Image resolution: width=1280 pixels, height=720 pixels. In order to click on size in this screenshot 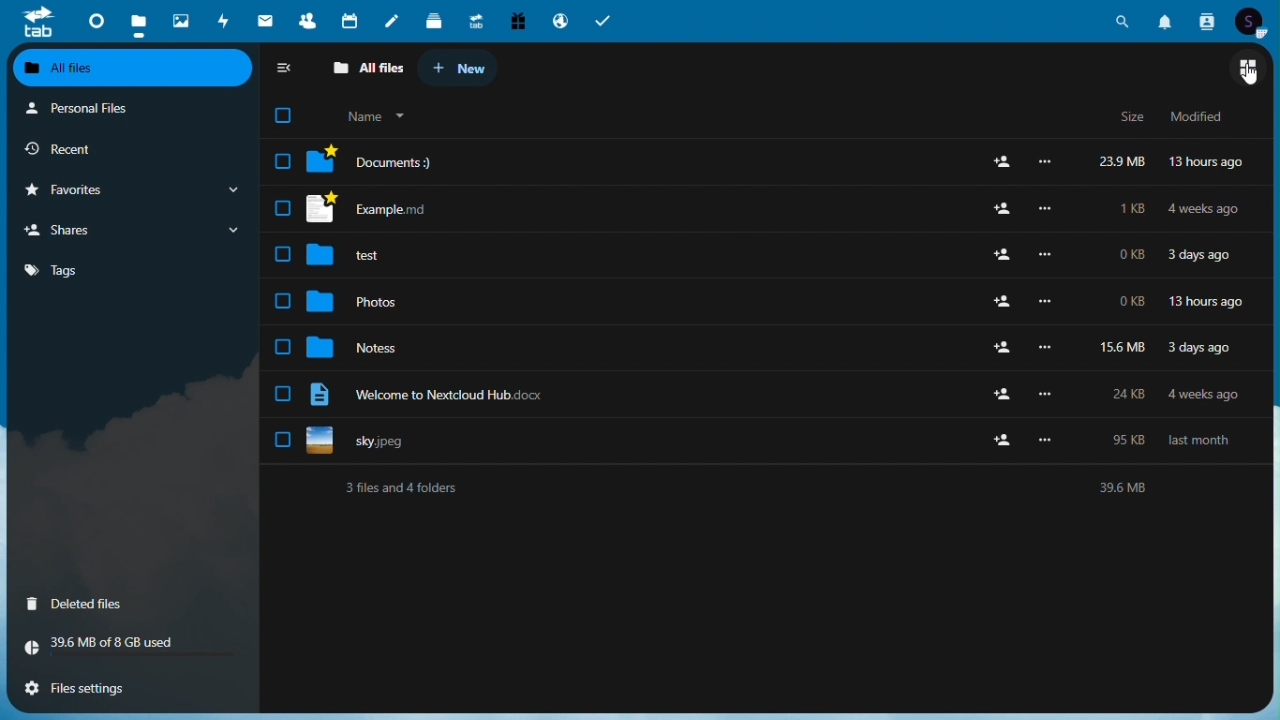, I will do `click(1135, 117)`.